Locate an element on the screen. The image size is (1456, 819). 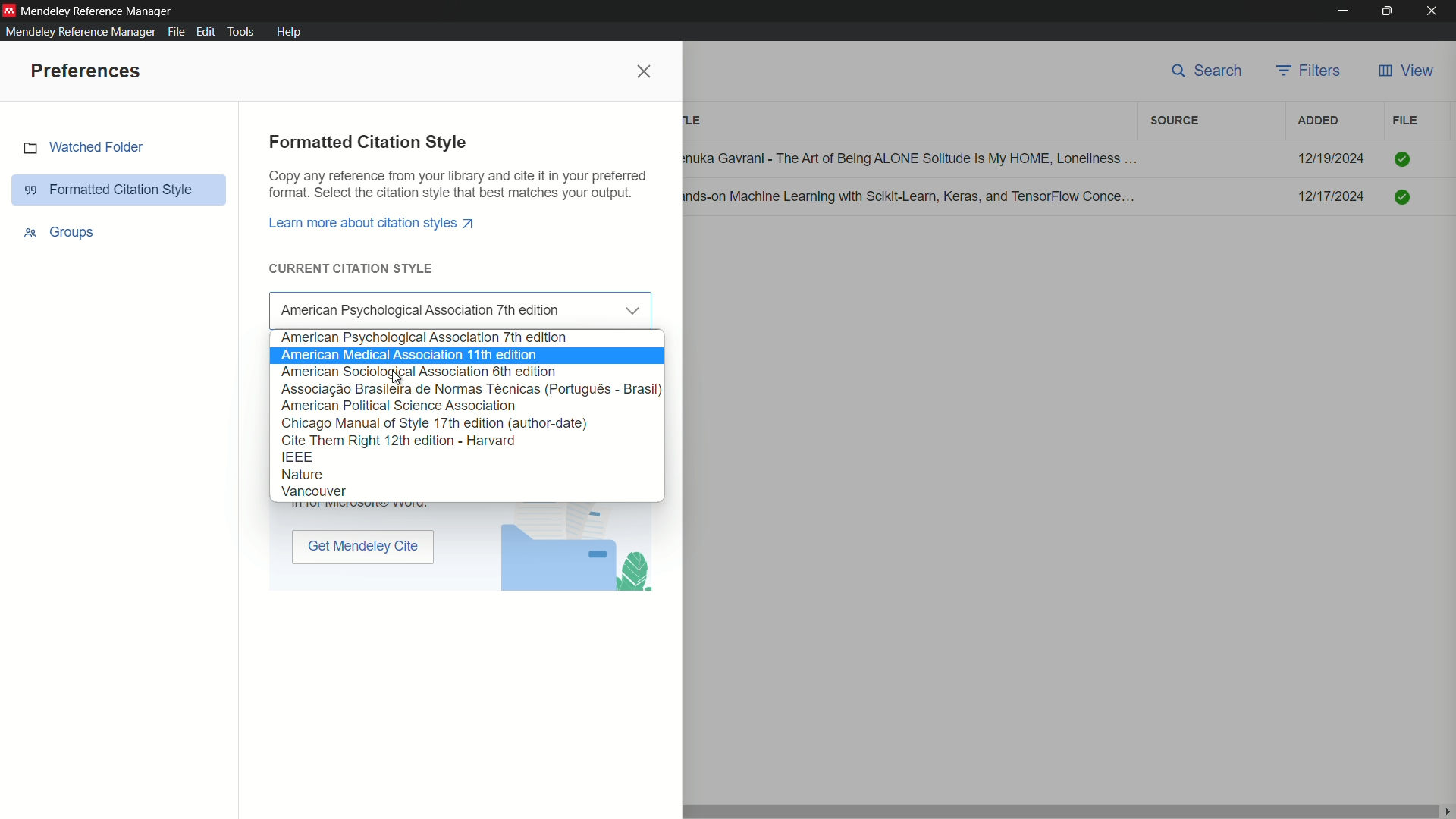
American Psychological Association 7th edition is located at coordinates (467, 339).